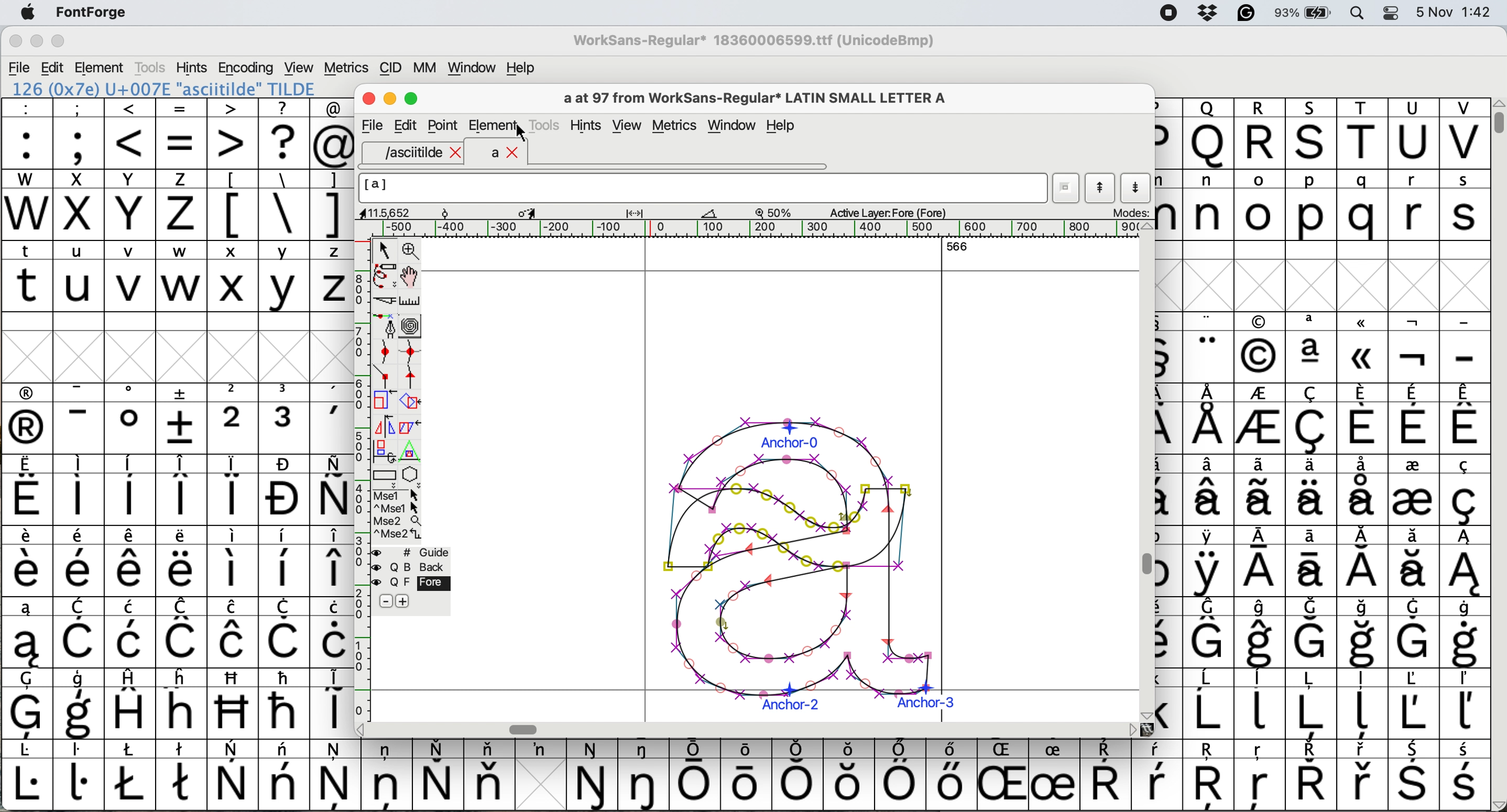  I want to click on v, so click(130, 278).